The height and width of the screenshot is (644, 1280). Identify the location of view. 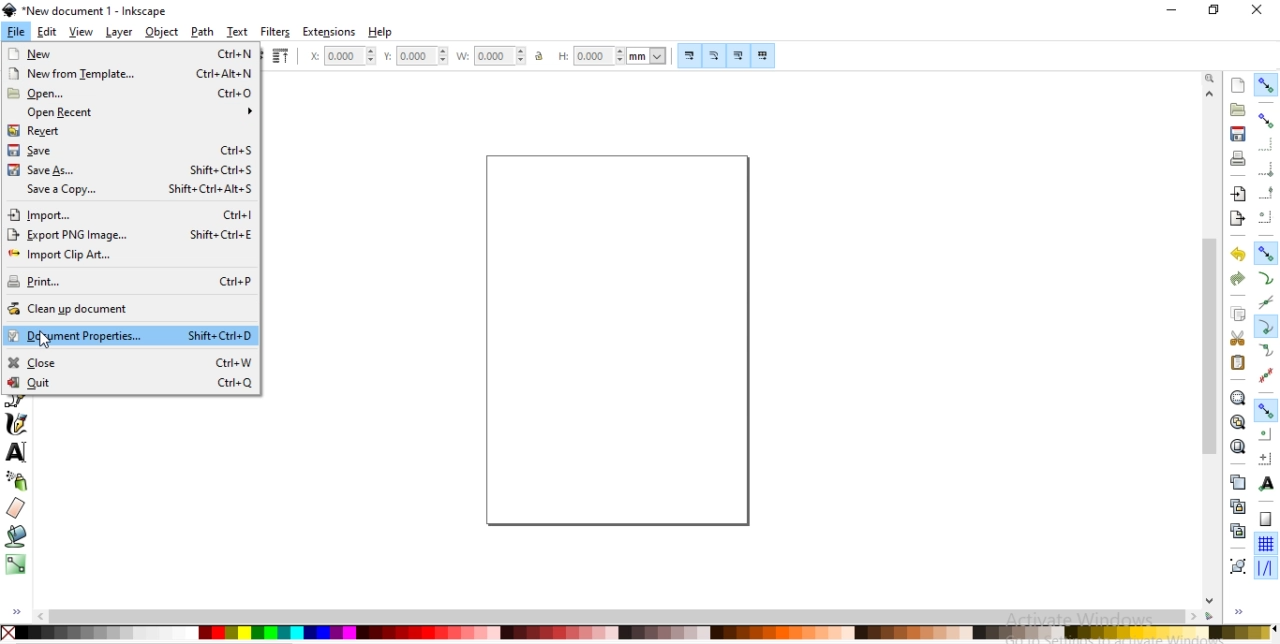
(82, 32).